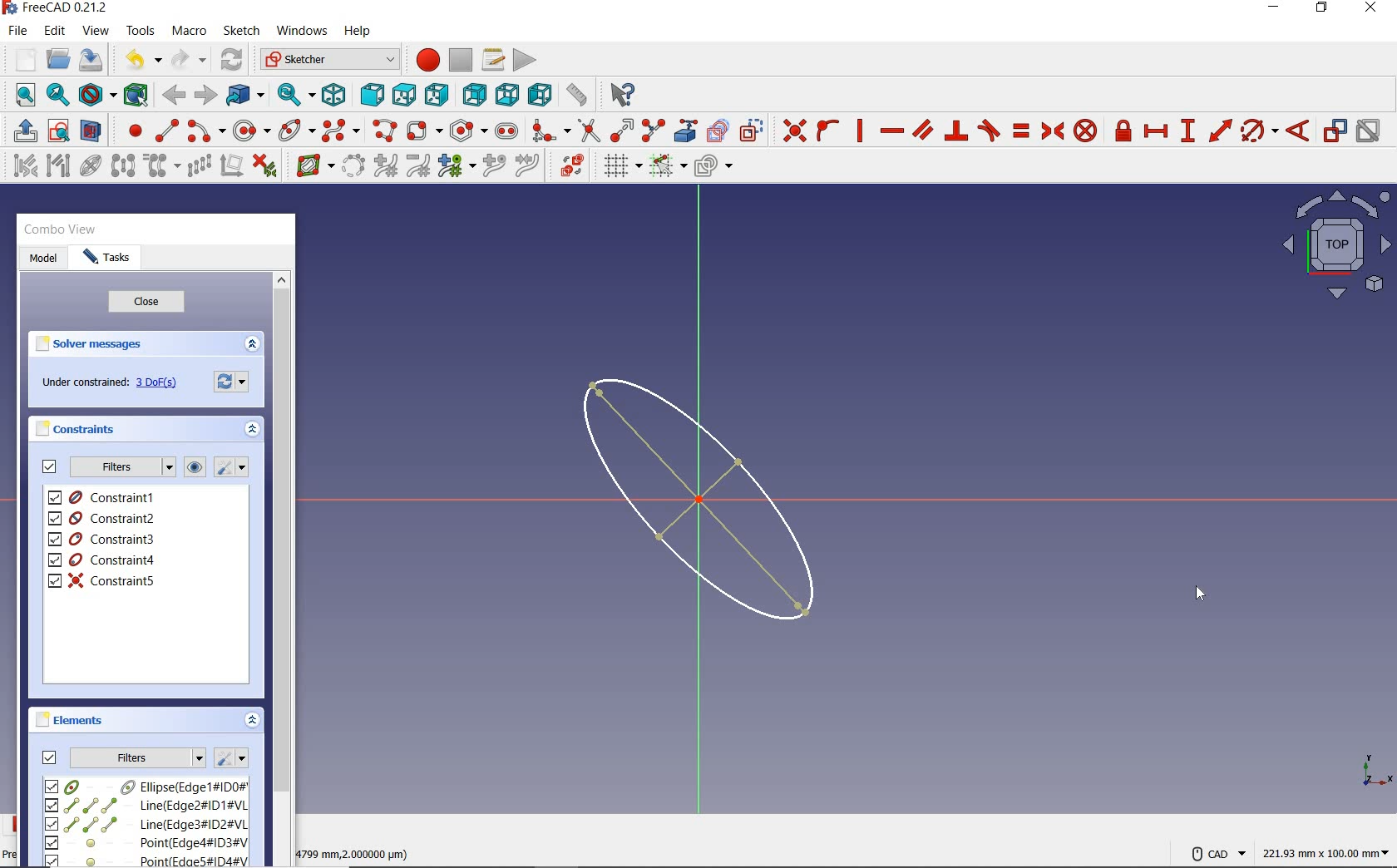 This screenshot has height=868, width=1397. Describe the element at coordinates (114, 383) in the screenshot. I see `under constrained` at that location.